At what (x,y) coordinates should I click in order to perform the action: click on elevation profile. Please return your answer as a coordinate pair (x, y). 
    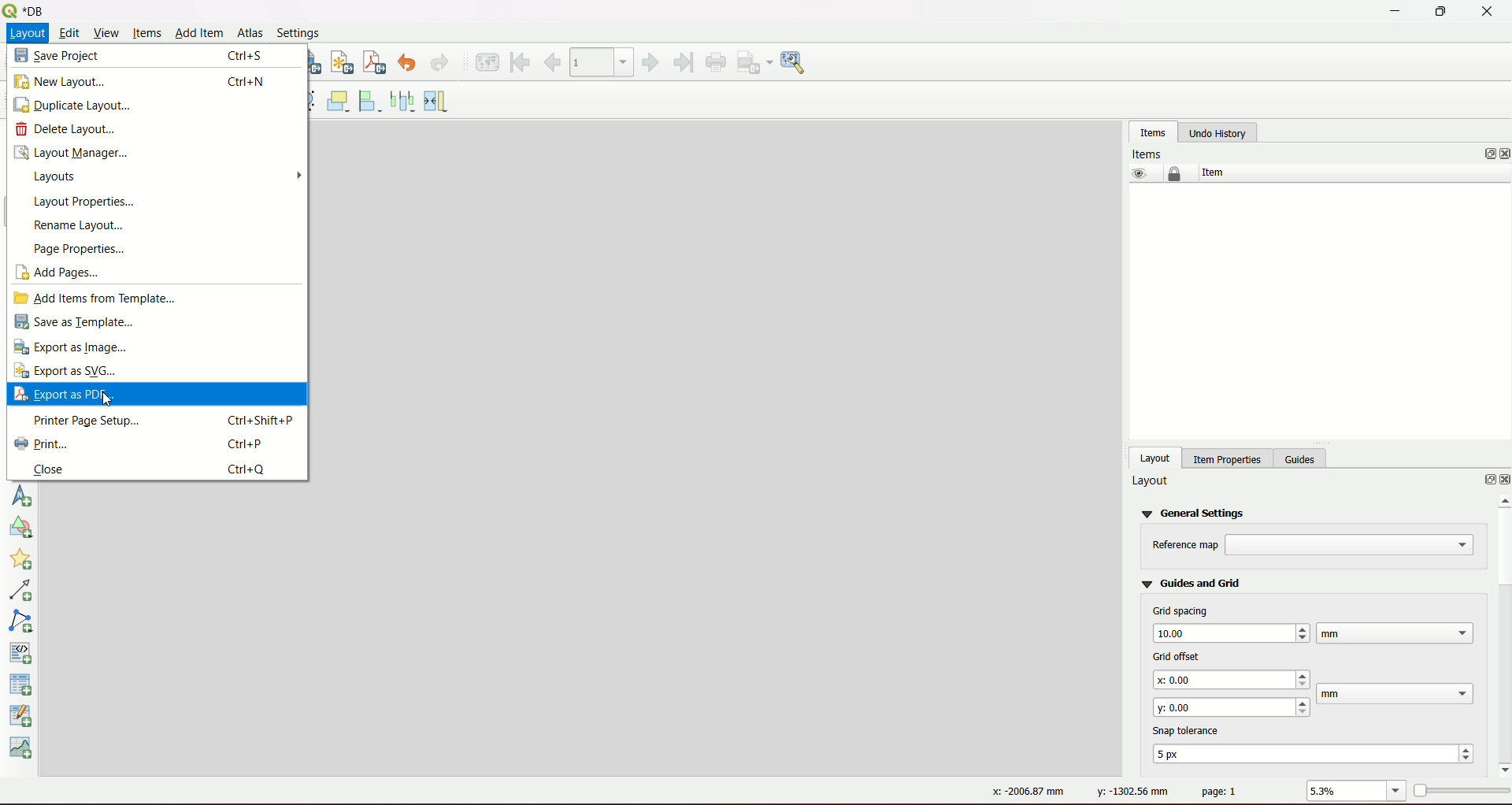
    Looking at the image, I should click on (24, 750).